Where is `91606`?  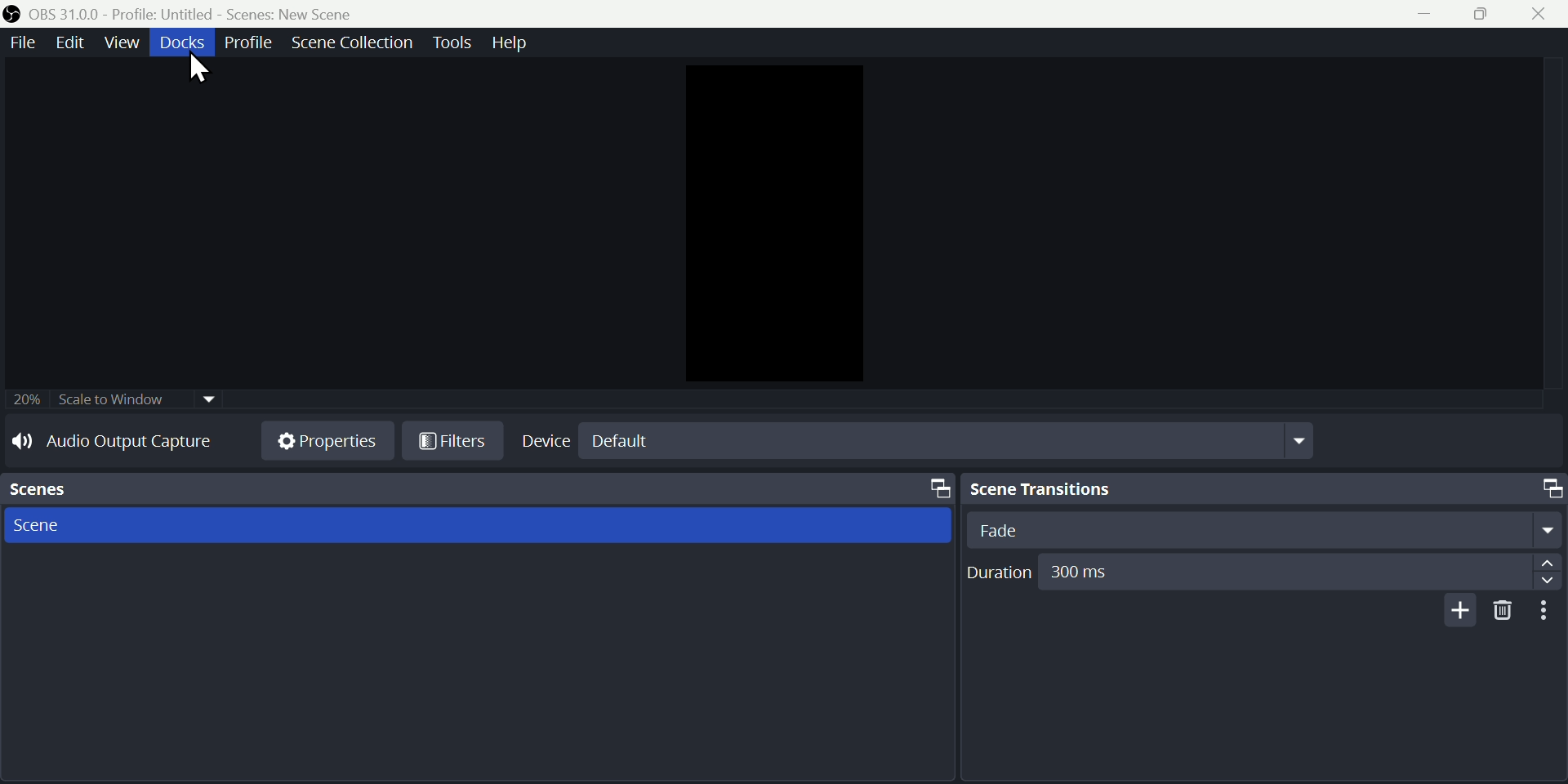 91606 is located at coordinates (189, 43).